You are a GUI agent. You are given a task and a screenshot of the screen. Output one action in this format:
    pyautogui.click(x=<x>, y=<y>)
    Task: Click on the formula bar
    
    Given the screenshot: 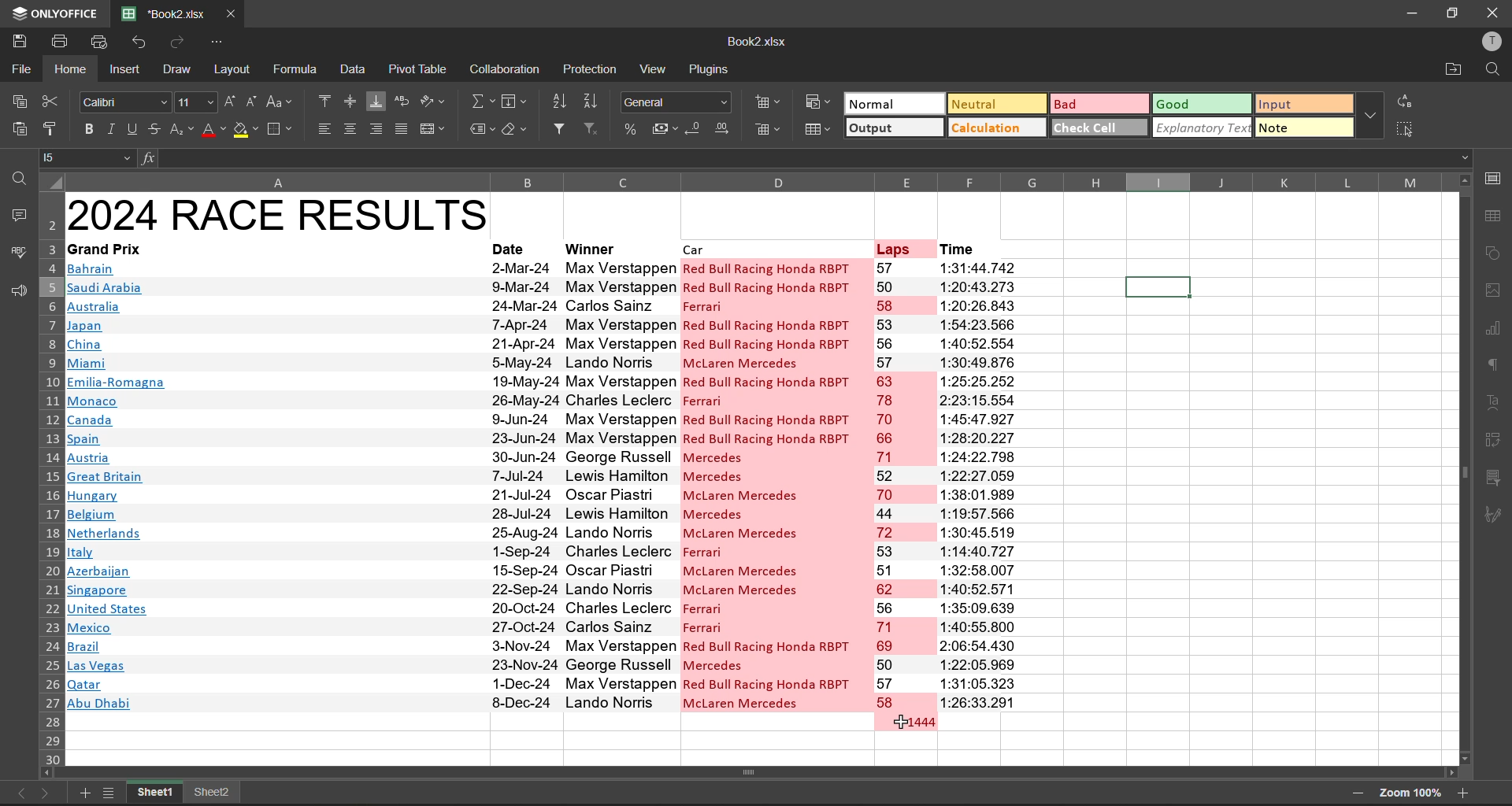 What is the action you would take?
    pyautogui.click(x=817, y=159)
    